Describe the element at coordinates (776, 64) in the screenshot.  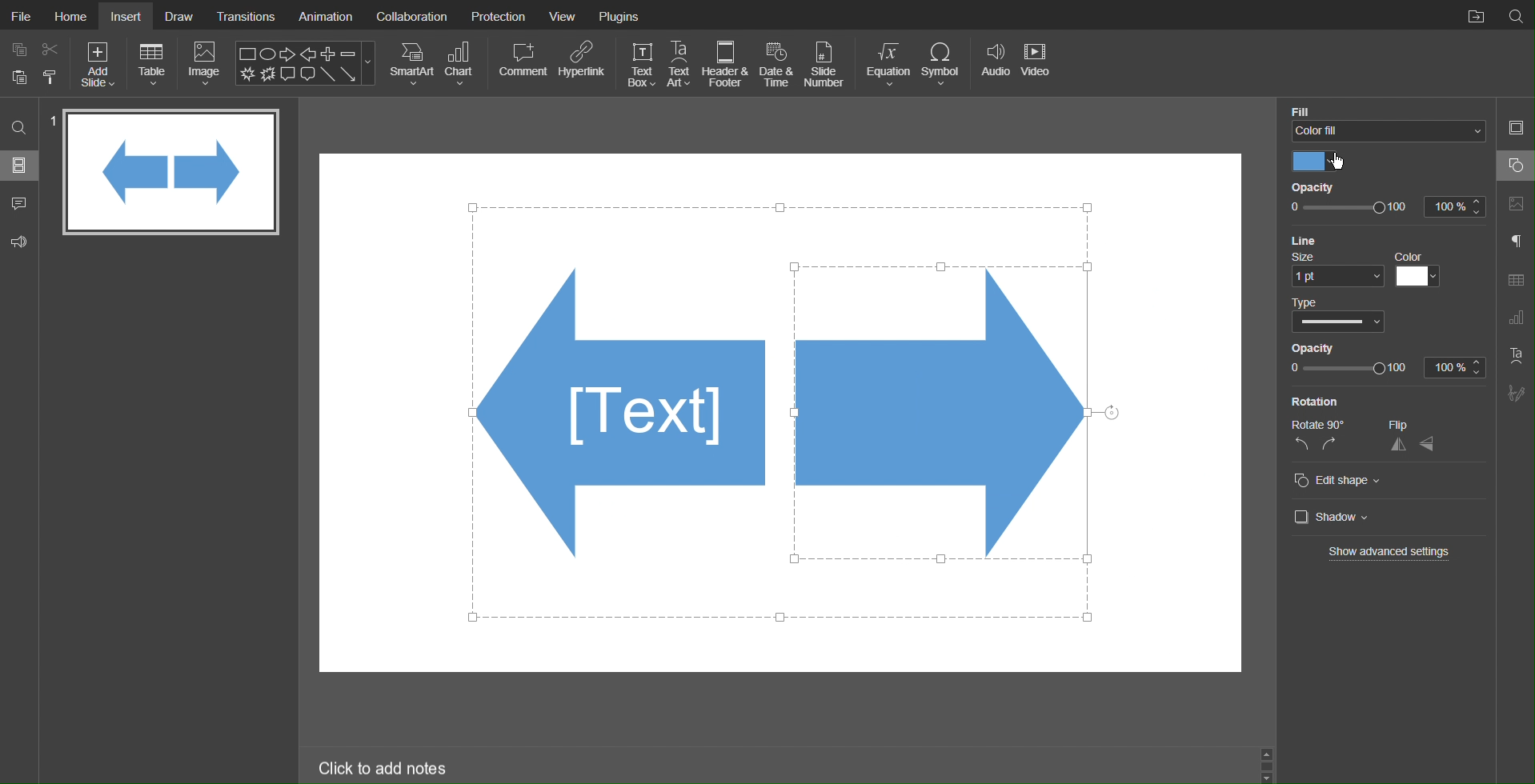
I see `Date and Time` at that location.